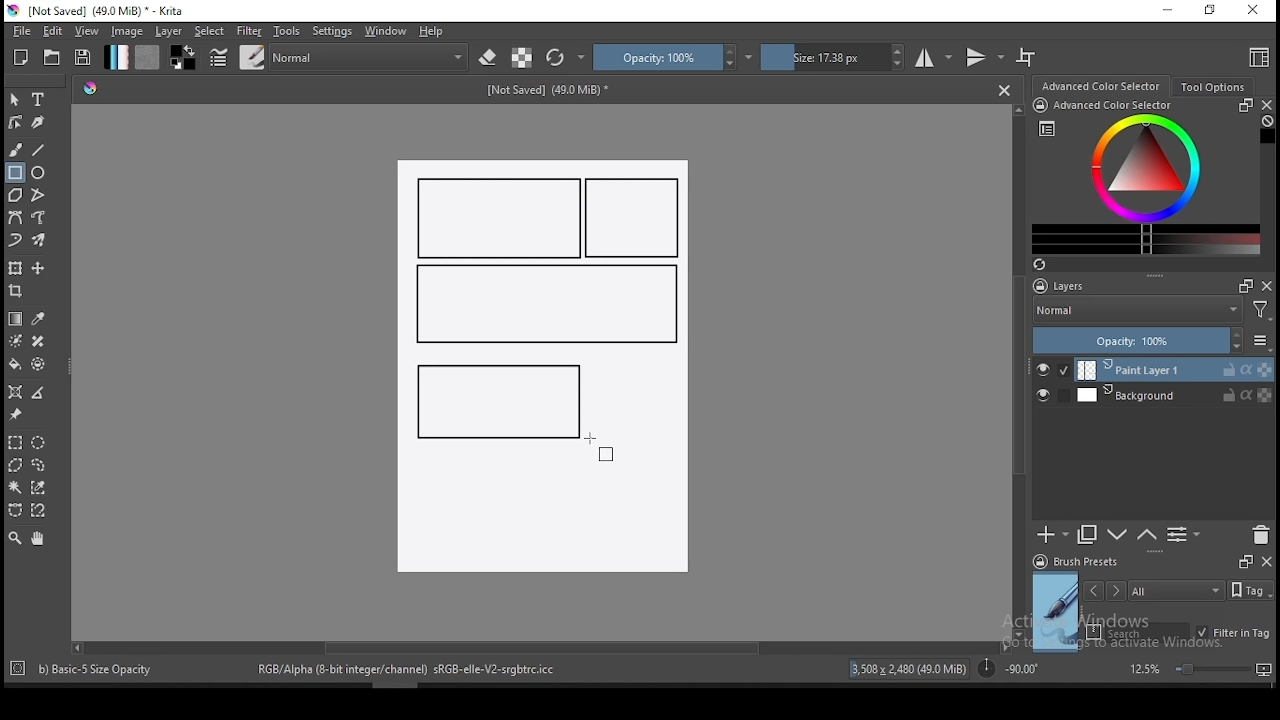  What do you see at coordinates (287, 31) in the screenshot?
I see `tools` at bounding box center [287, 31].